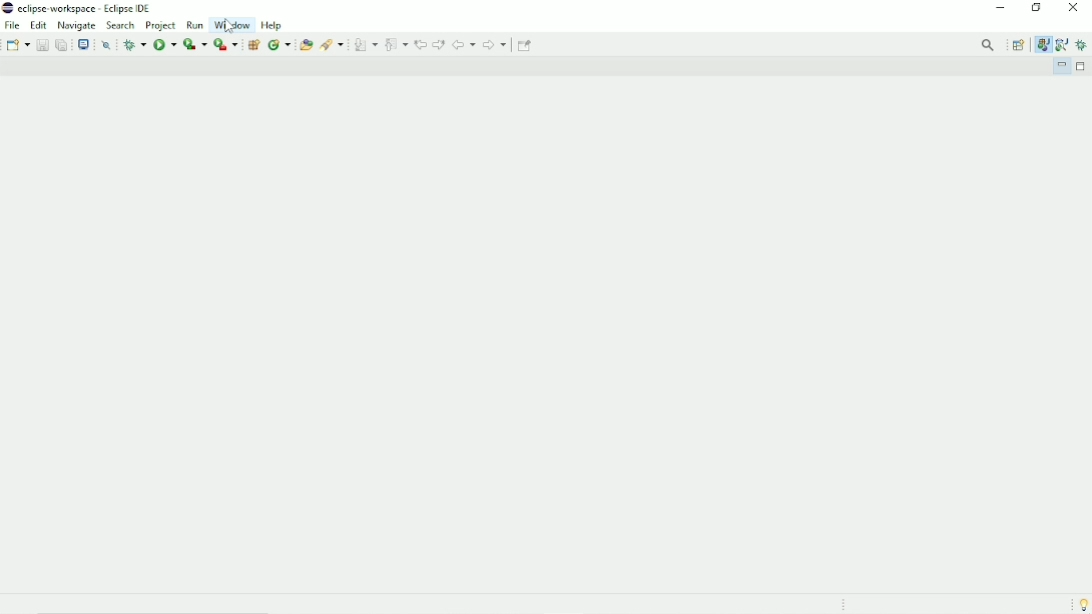  Describe the element at coordinates (1001, 9) in the screenshot. I see `Minimize` at that location.